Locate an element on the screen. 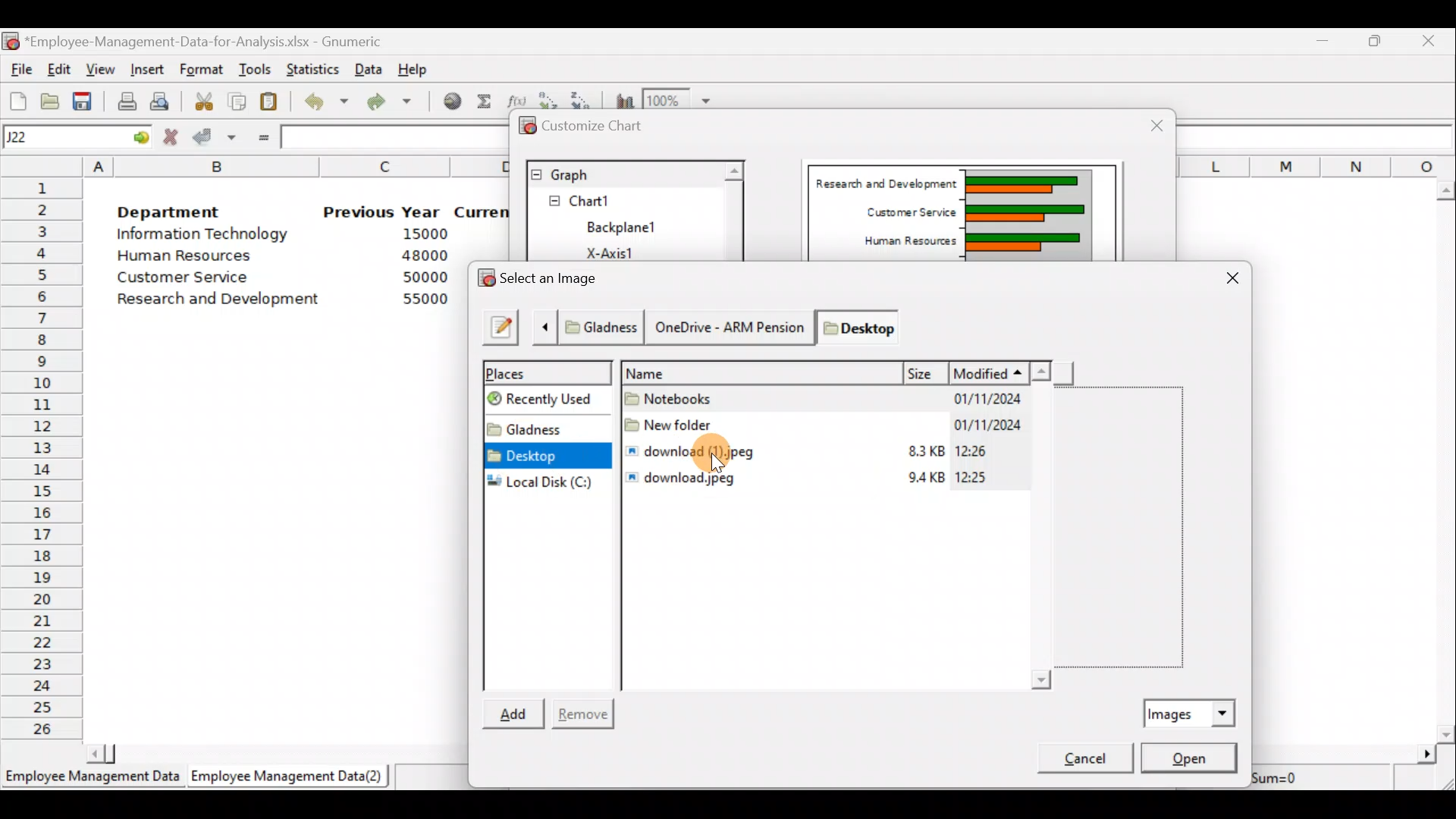 Image resolution: width=1456 pixels, height=819 pixels. Copy the selection is located at coordinates (241, 102).